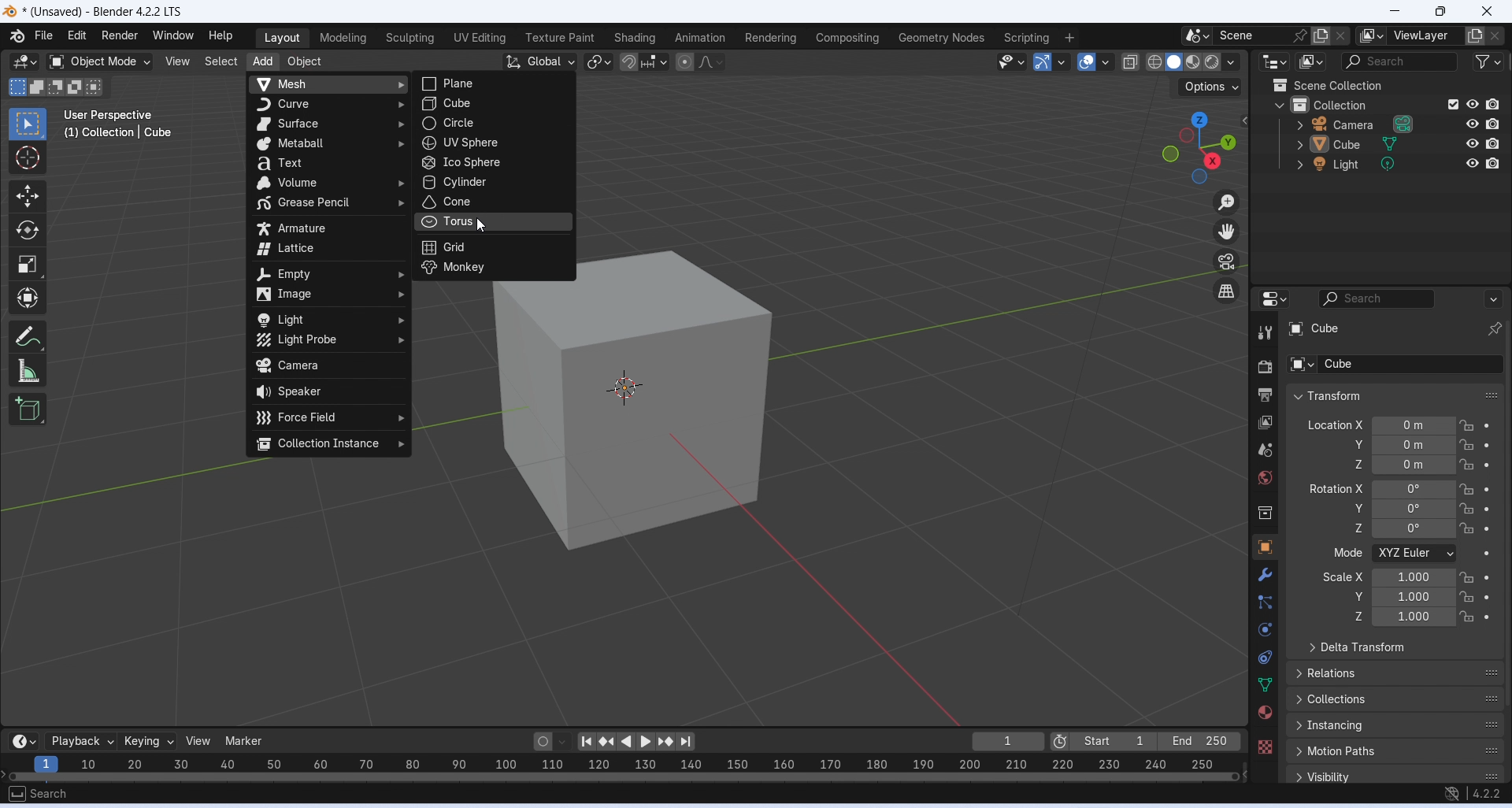 The width and height of the screenshot is (1512, 808). What do you see at coordinates (328, 85) in the screenshot?
I see `mesh` at bounding box center [328, 85].